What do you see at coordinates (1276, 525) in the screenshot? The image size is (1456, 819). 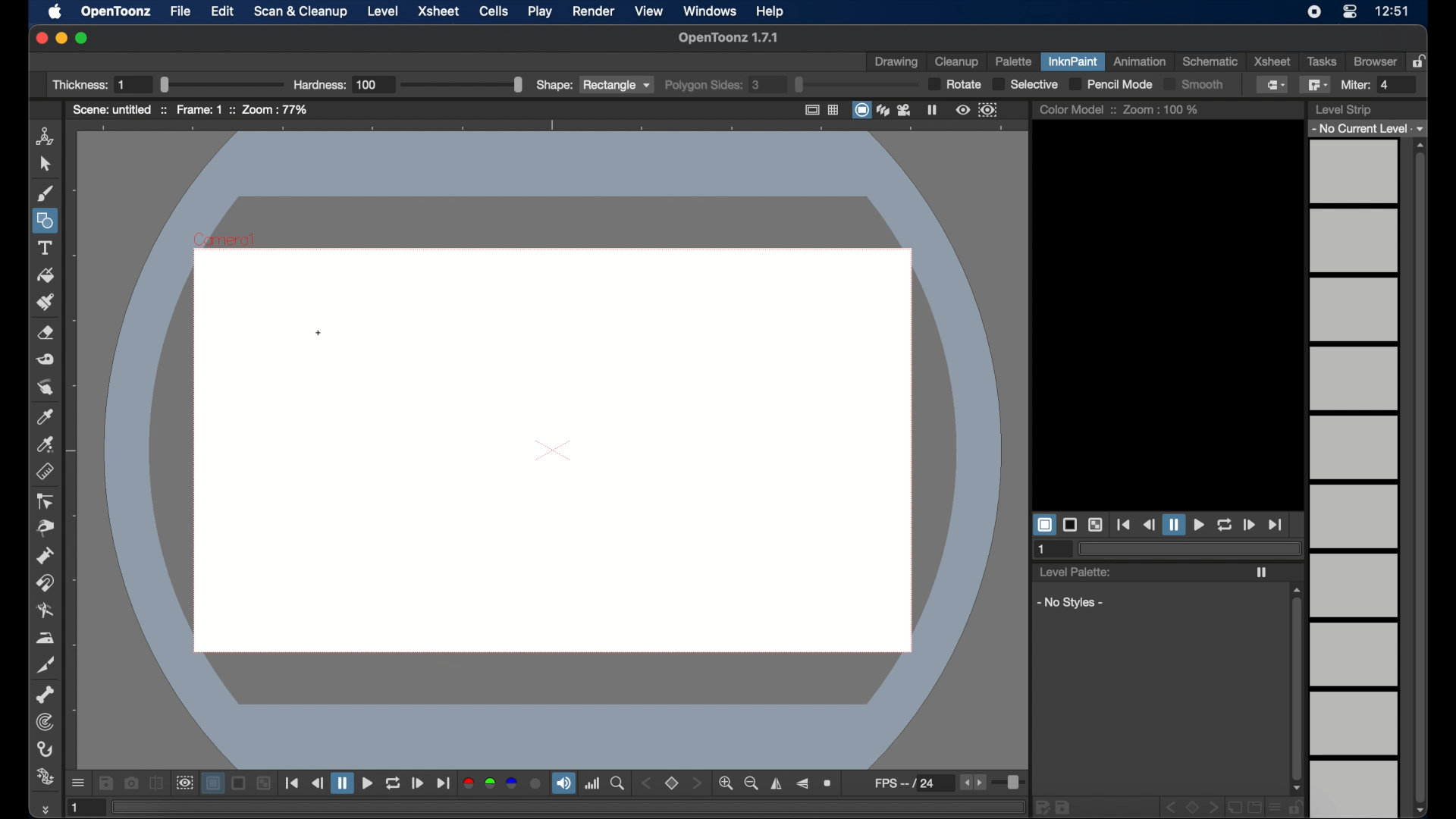 I see `jump to end` at bounding box center [1276, 525].